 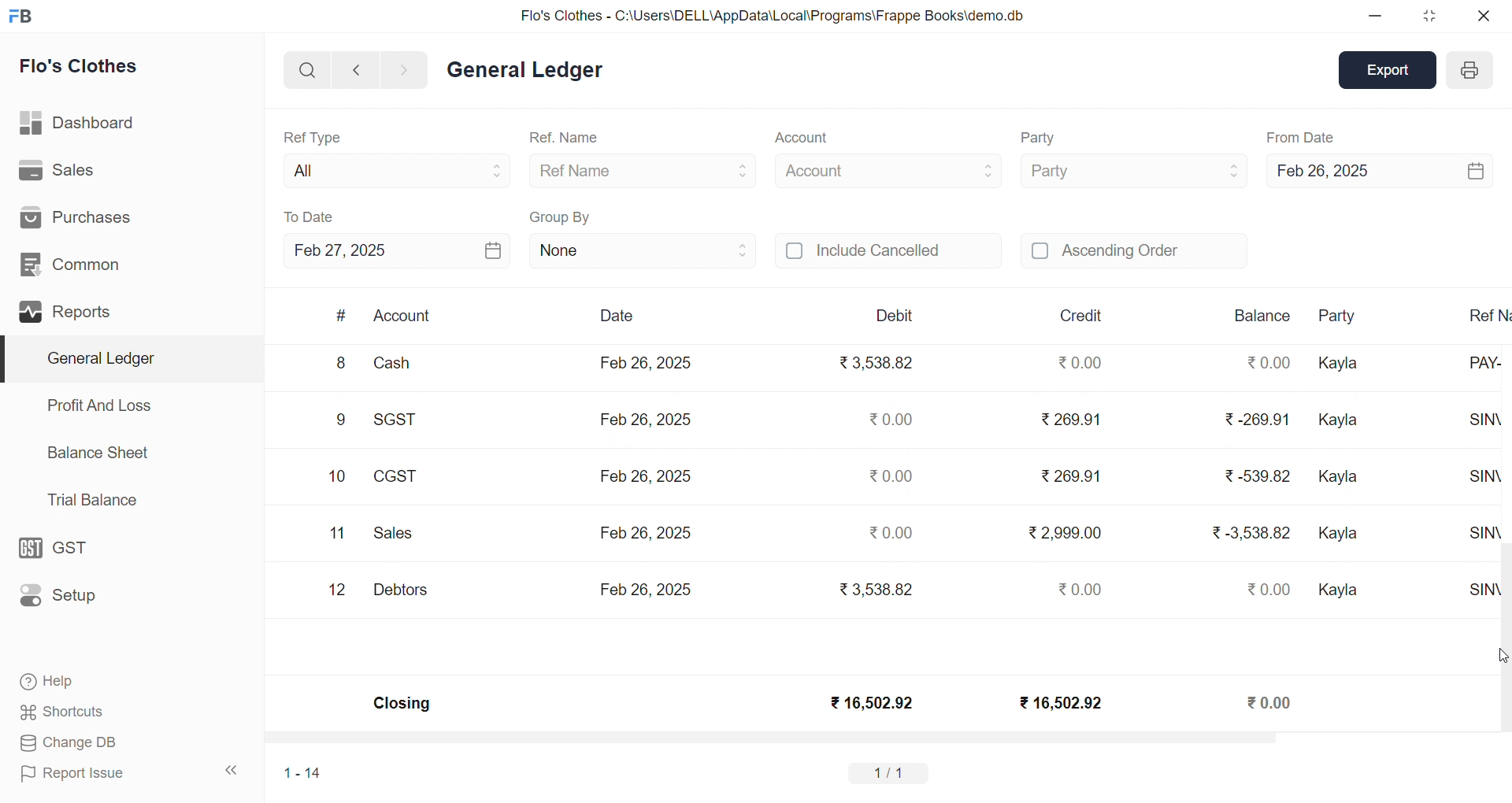 What do you see at coordinates (1073, 420) in the screenshot?
I see `₹269.91` at bounding box center [1073, 420].